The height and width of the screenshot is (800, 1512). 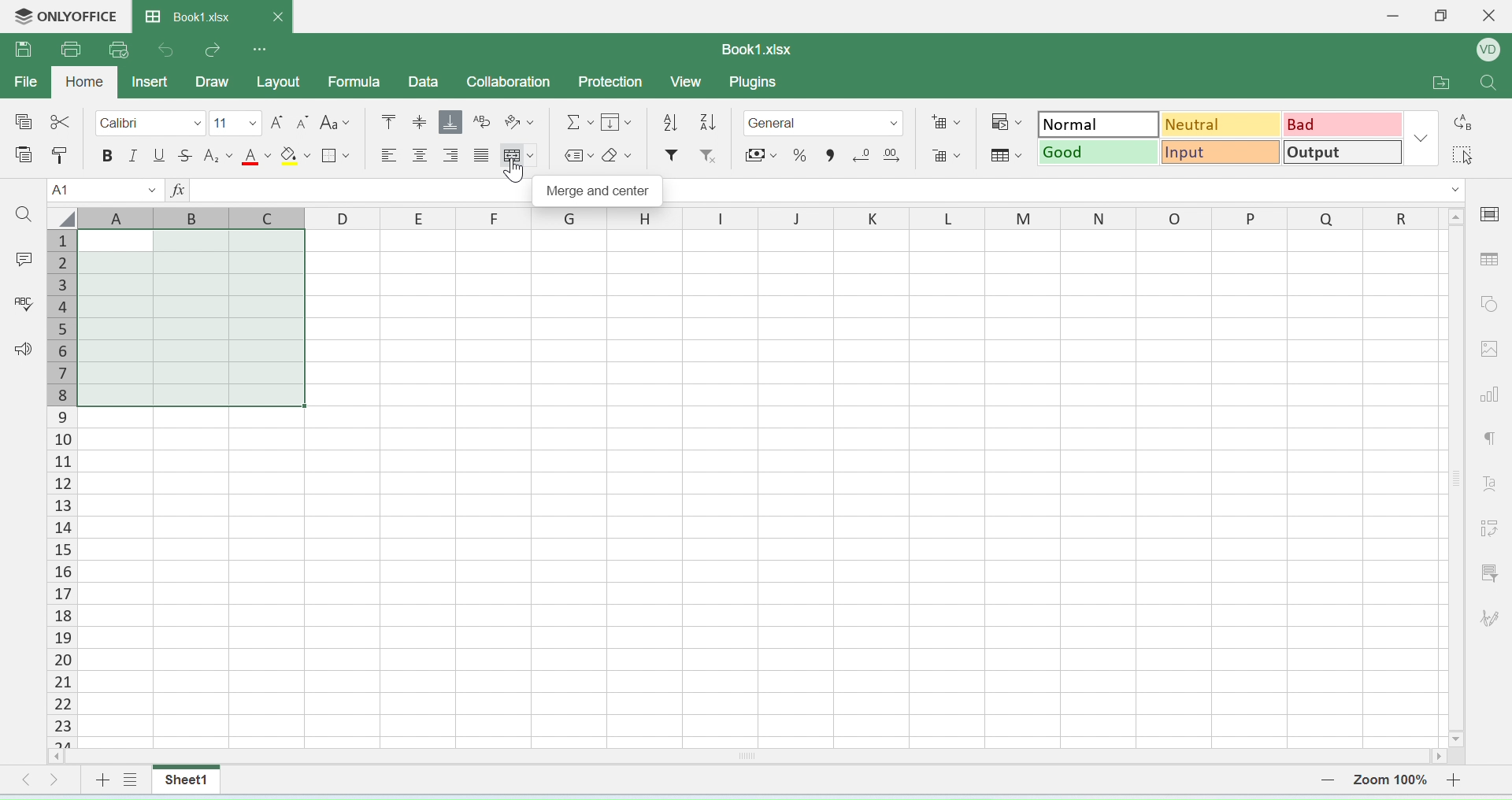 What do you see at coordinates (1095, 123) in the screenshot?
I see `normal` at bounding box center [1095, 123].